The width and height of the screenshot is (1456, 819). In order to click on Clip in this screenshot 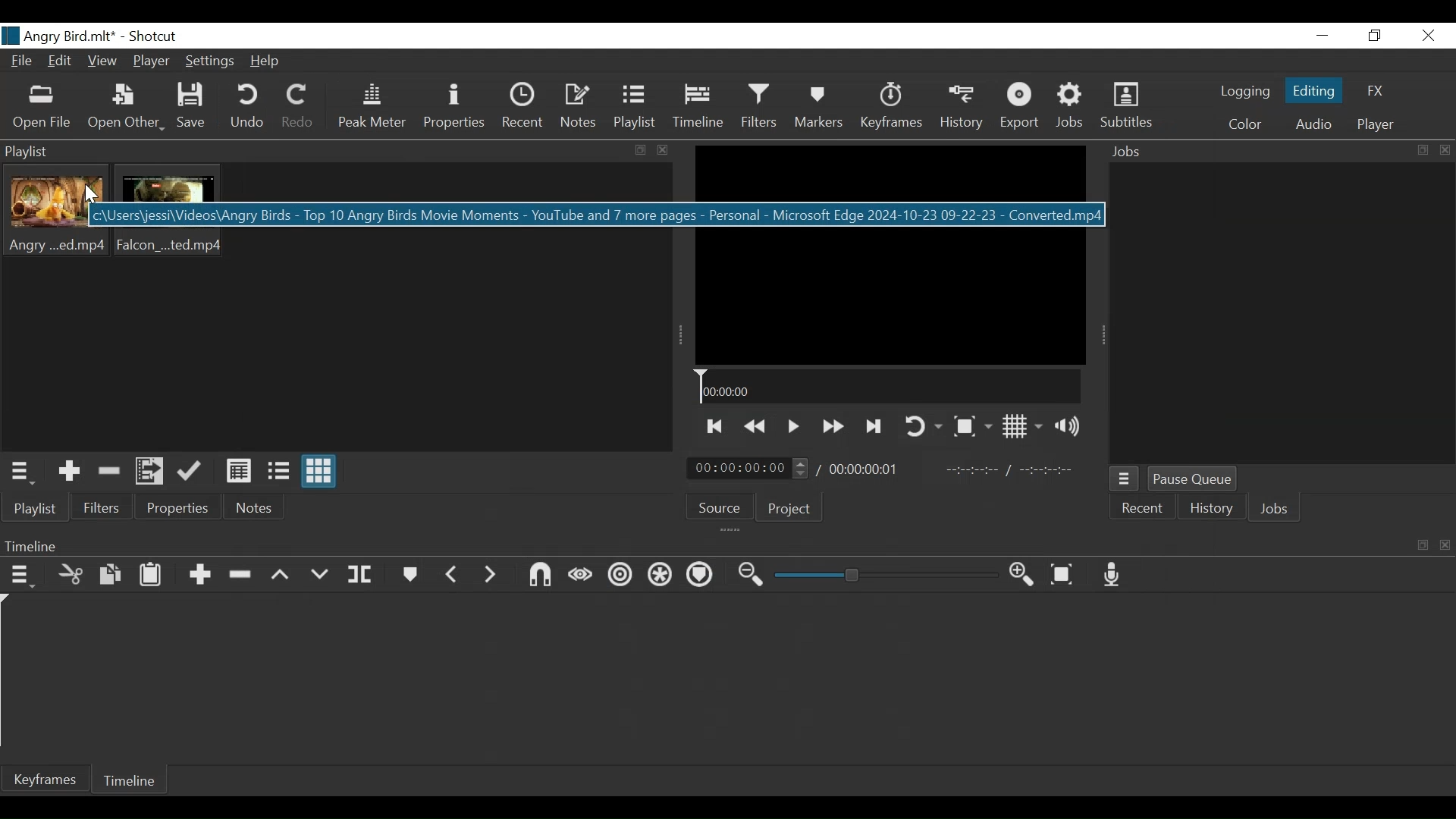, I will do `click(172, 212)`.